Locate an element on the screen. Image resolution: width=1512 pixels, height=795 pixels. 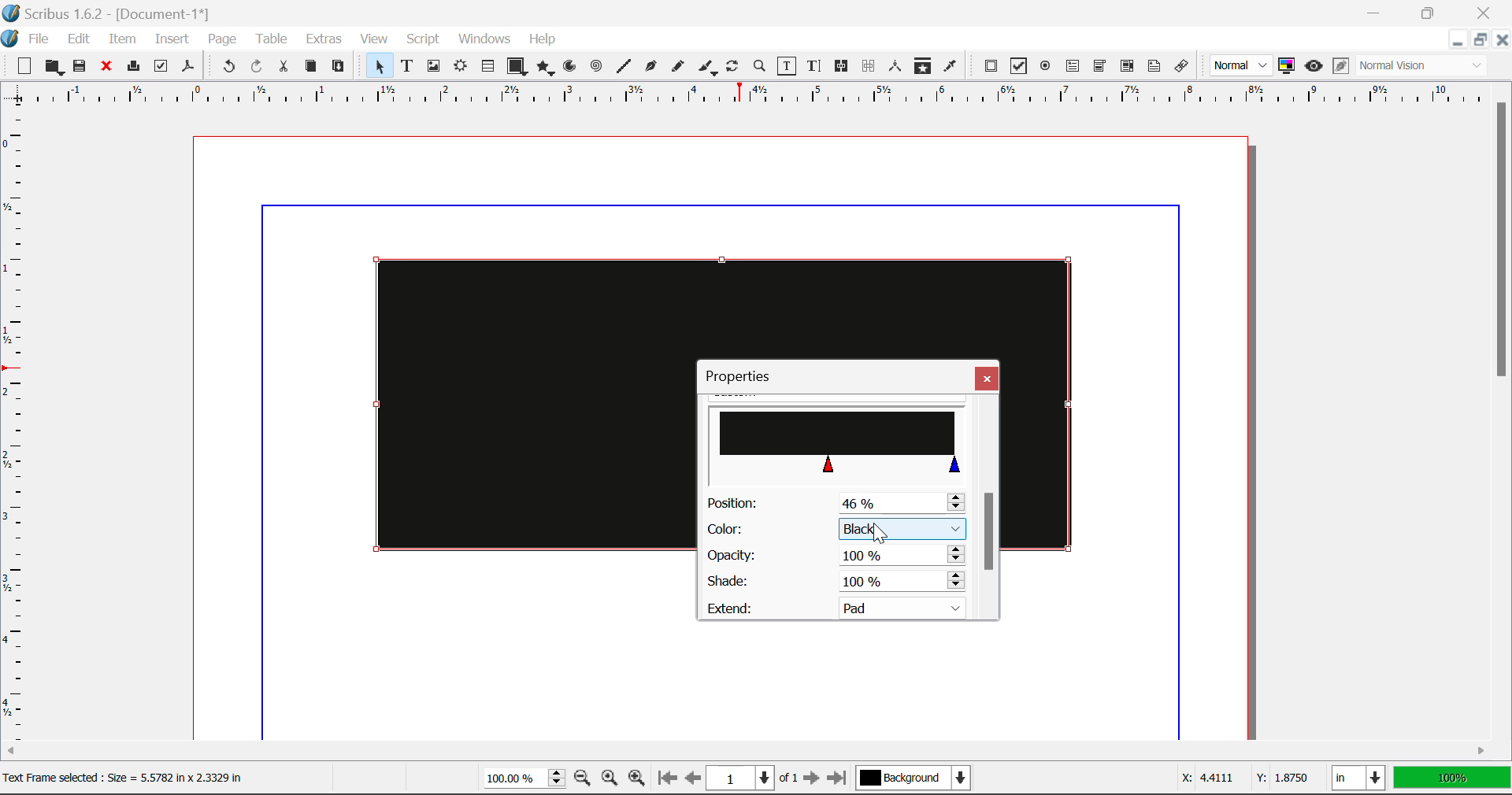
Opacity is located at coordinates (835, 556).